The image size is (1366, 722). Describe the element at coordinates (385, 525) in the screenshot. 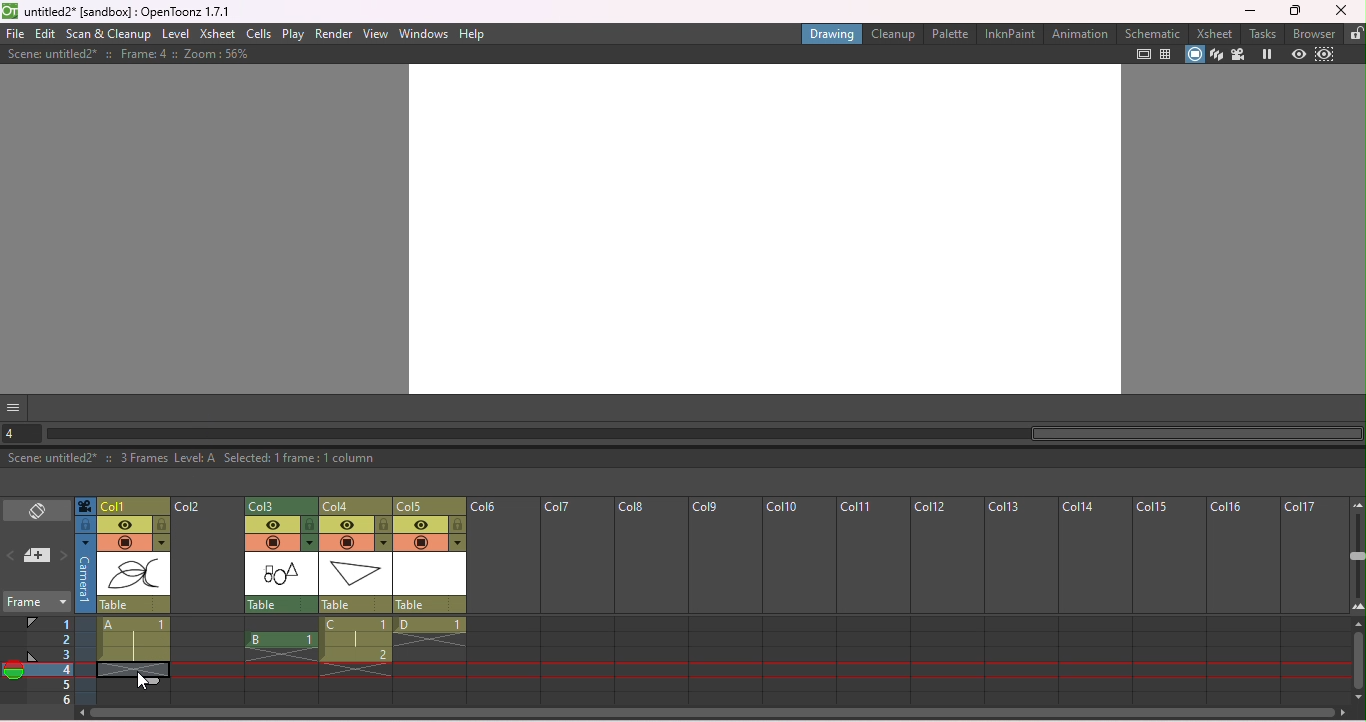

I see `Lock toggle` at that location.